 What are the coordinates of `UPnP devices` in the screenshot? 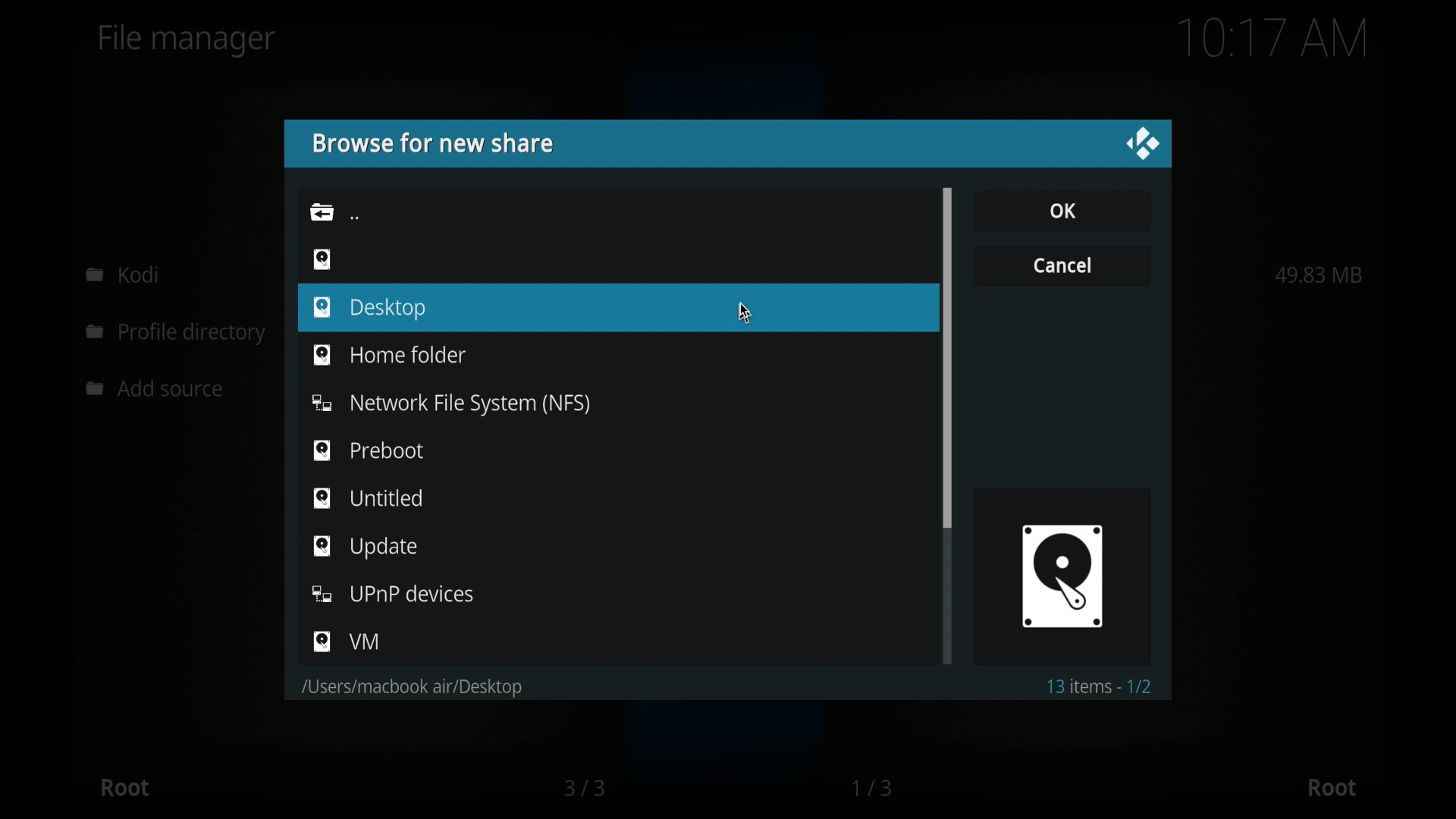 It's located at (394, 594).